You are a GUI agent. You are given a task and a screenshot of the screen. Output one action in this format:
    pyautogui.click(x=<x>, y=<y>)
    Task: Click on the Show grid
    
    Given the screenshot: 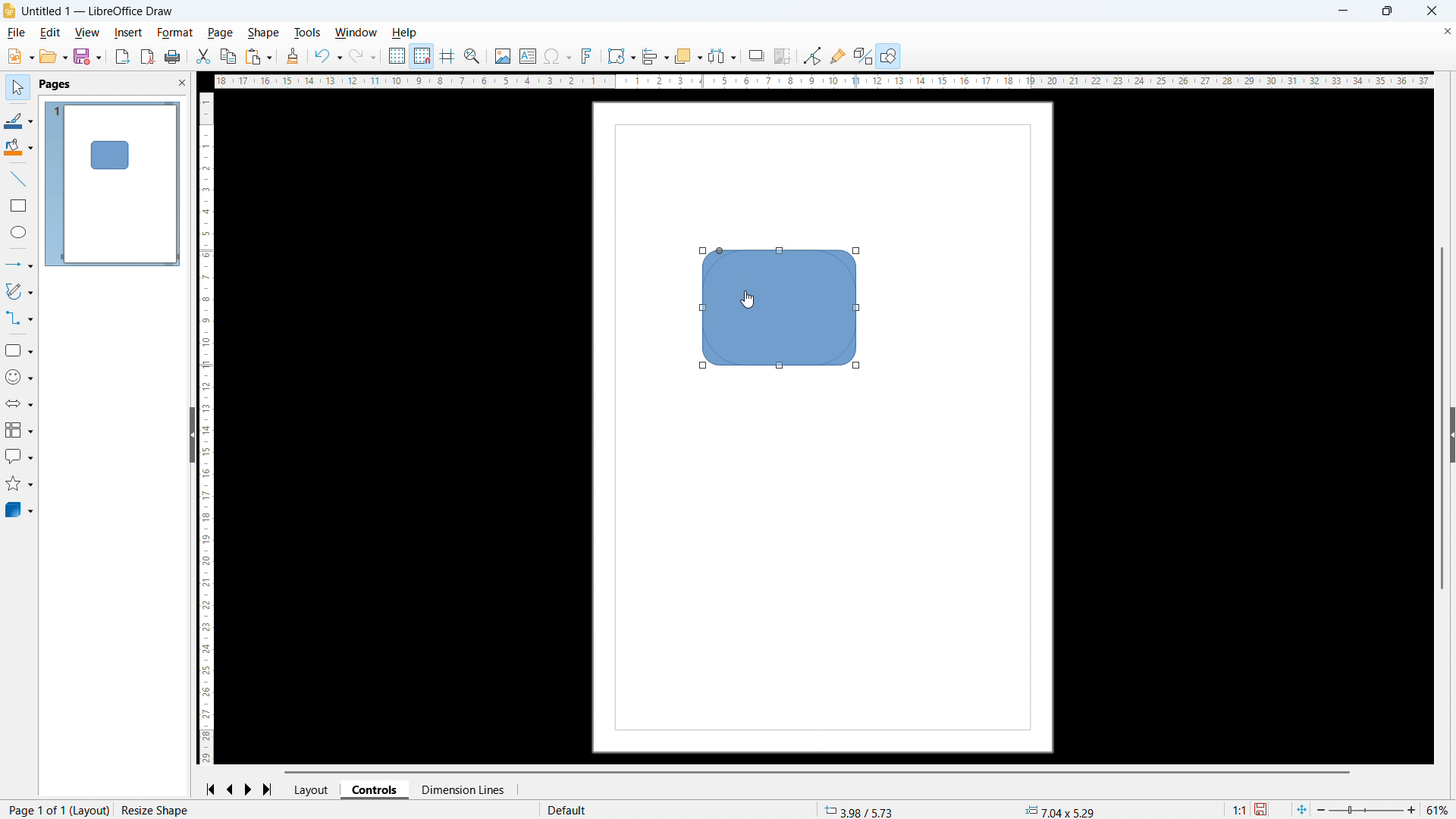 What is the action you would take?
    pyautogui.click(x=397, y=57)
    